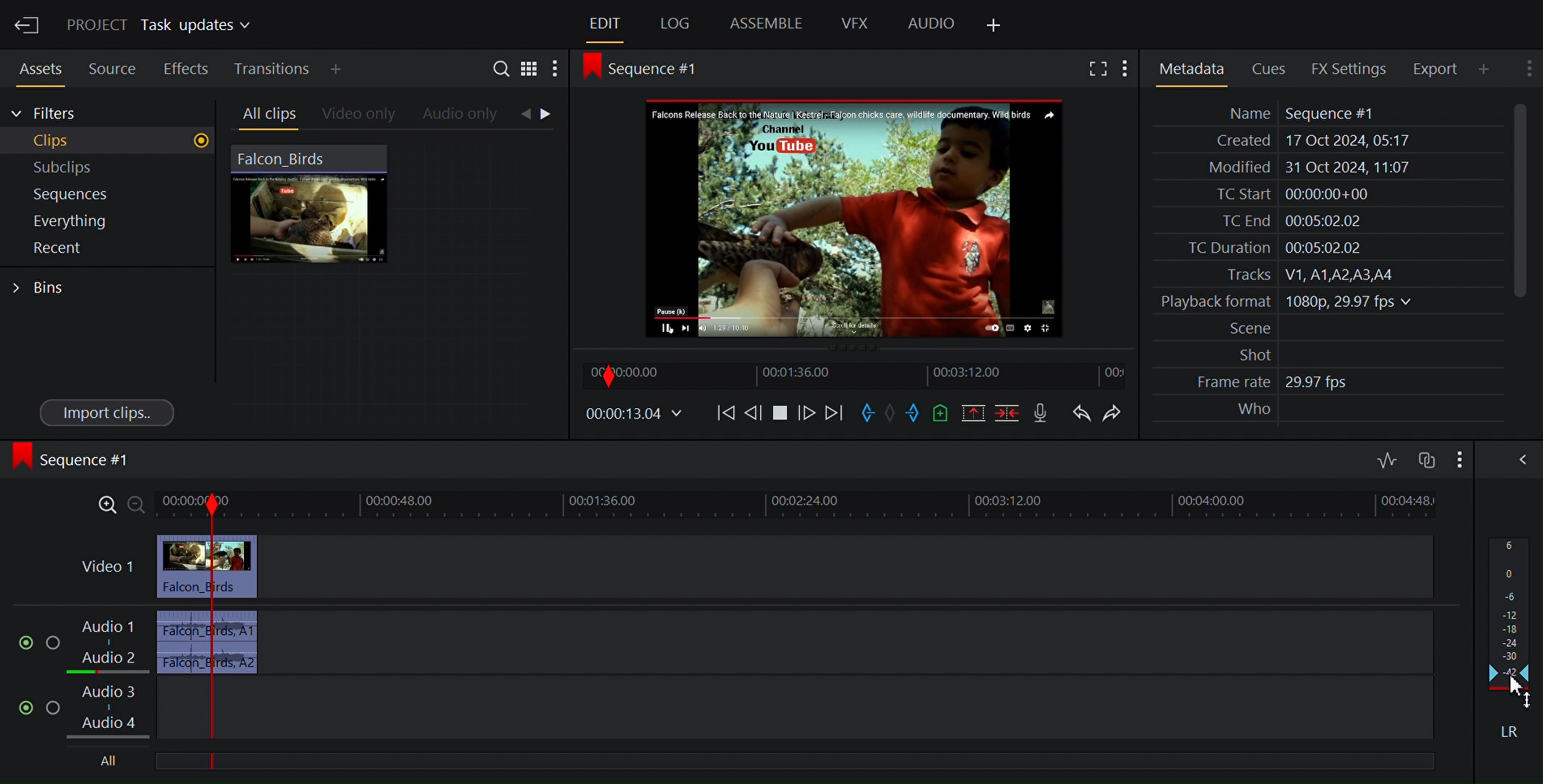 The image size is (1543, 784). Describe the element at coordinates (1301, 168) in the screenshot. I see `Modified 31 Oct 2024, 11:06` at that location.